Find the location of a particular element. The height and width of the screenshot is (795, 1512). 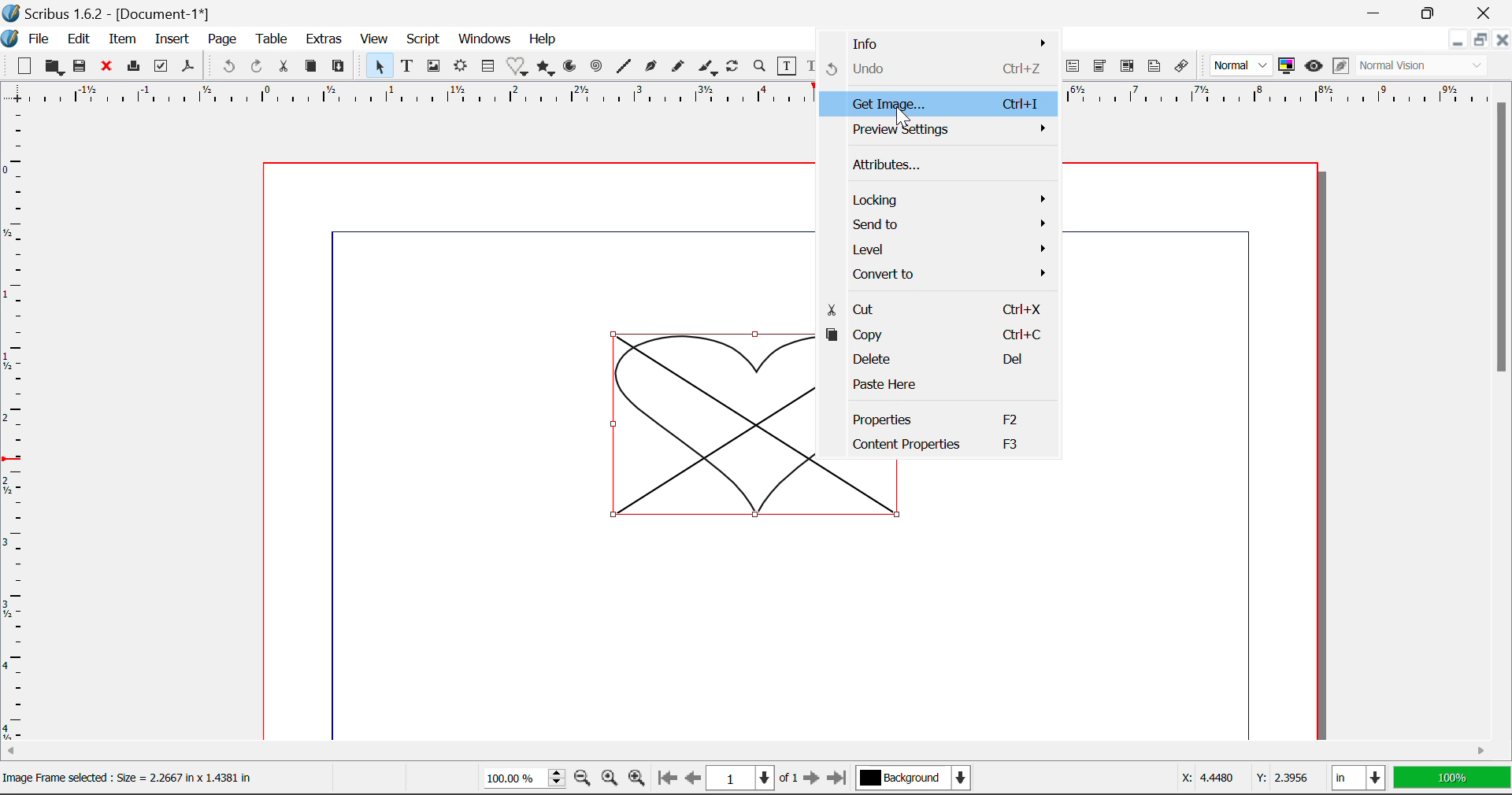

Info is located at coordinates (942, 44).